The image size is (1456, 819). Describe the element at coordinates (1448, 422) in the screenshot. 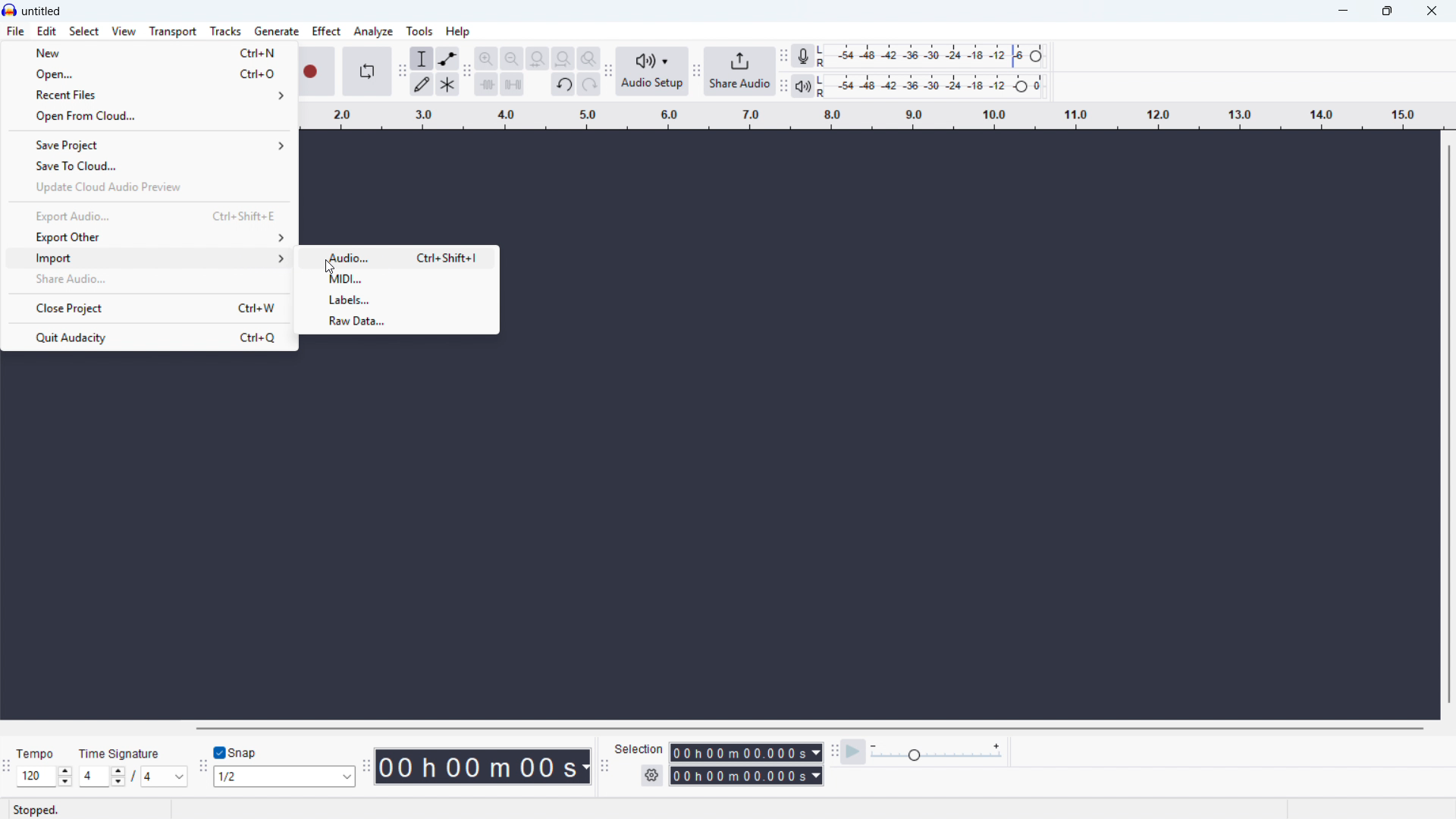

I see `Vertical scroll bar` at that location.